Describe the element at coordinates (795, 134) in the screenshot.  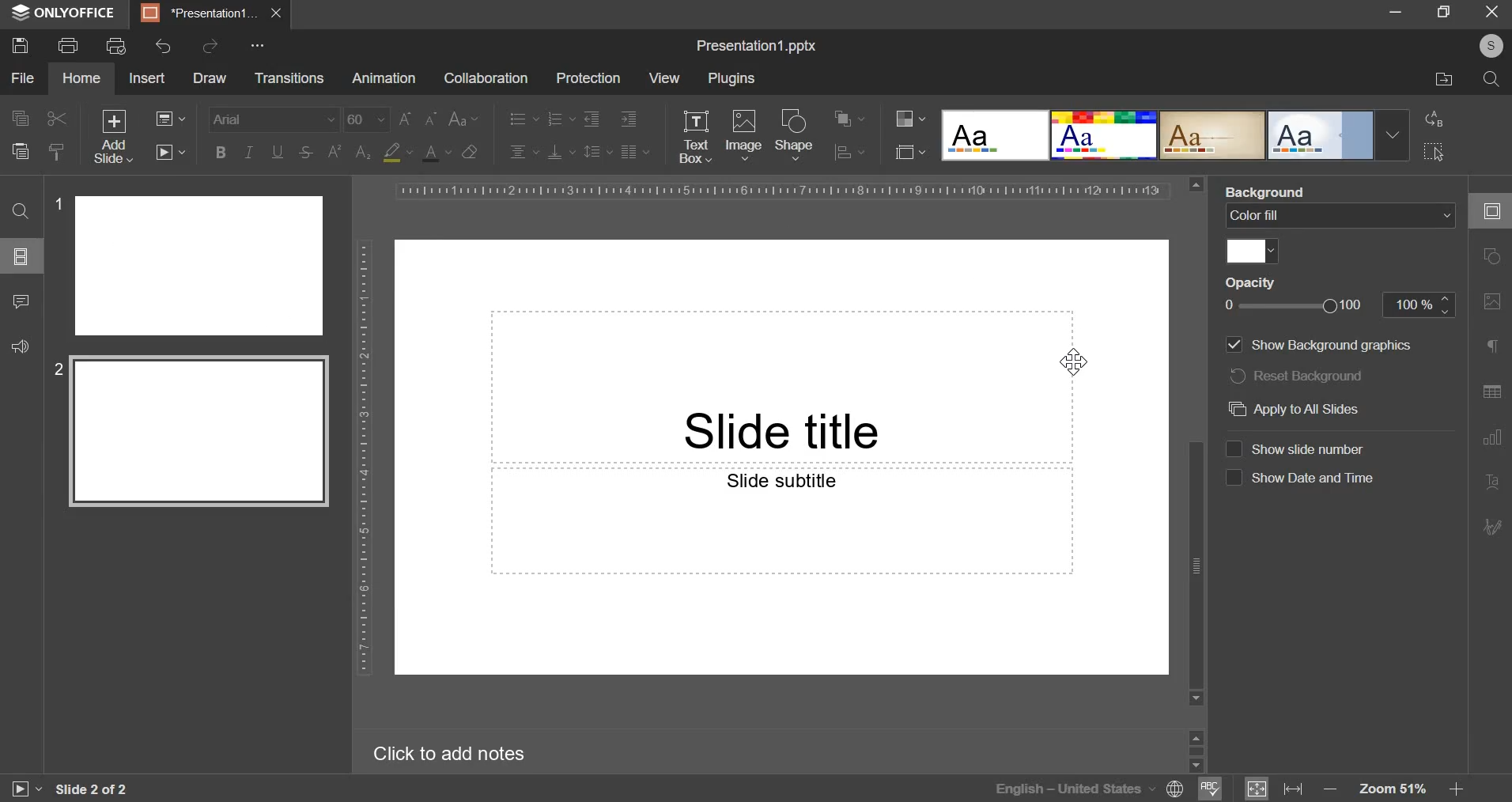
I see `shape` at that location.